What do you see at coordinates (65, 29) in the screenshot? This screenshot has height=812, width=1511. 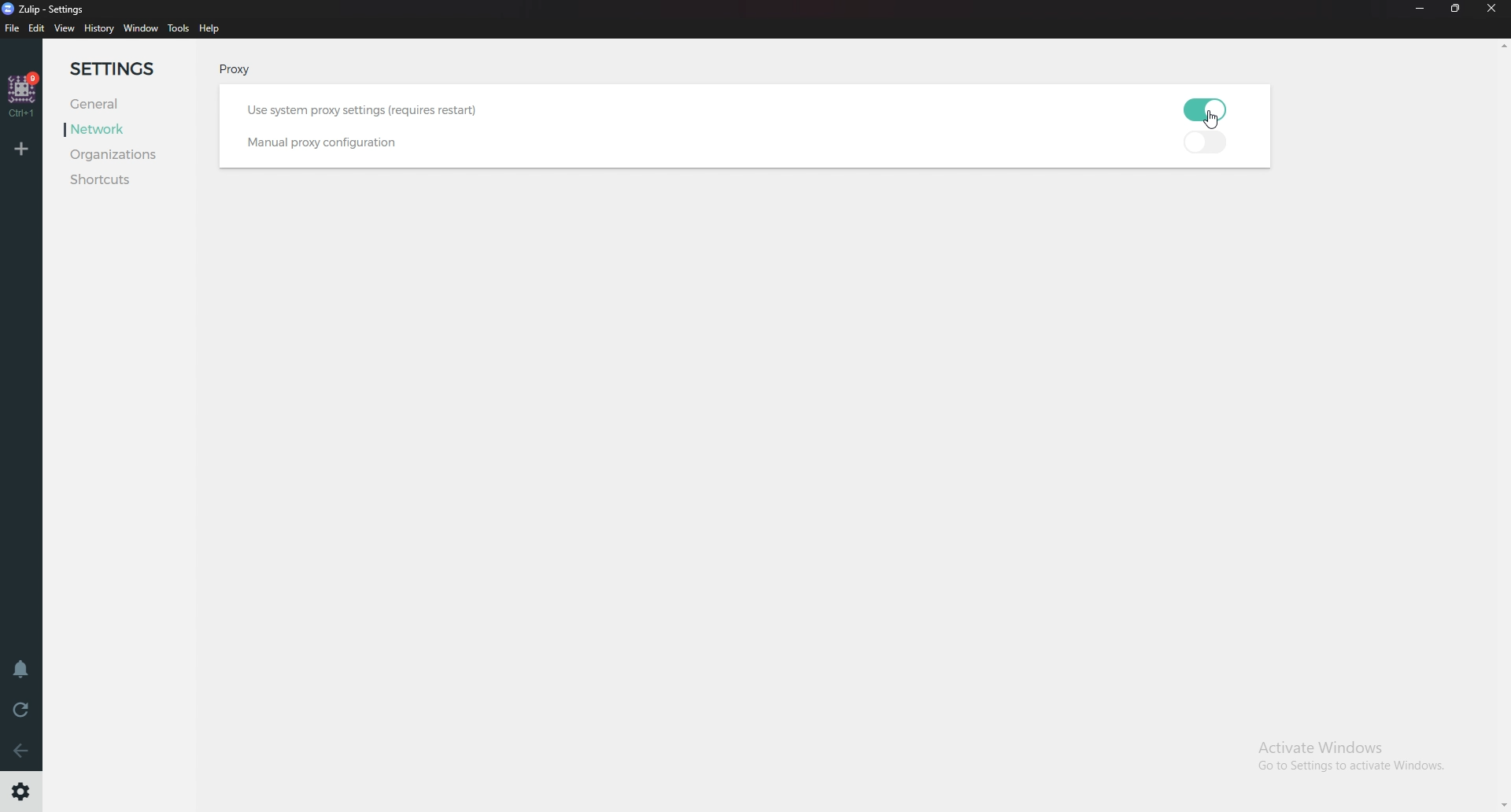 I see `view` at bounding box center [65, 29].